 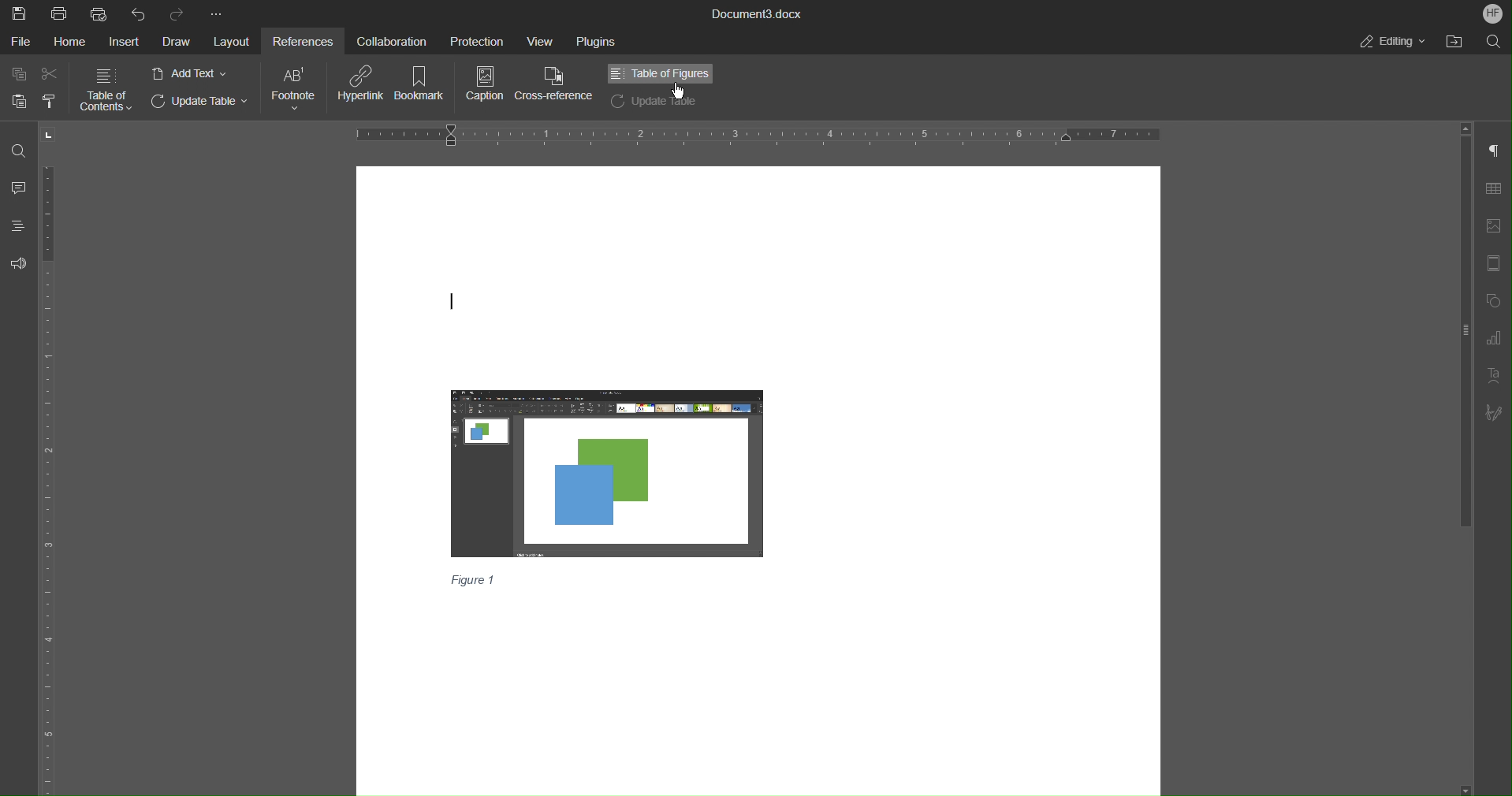 I want to click on Paste, so click(x=15, y=101).